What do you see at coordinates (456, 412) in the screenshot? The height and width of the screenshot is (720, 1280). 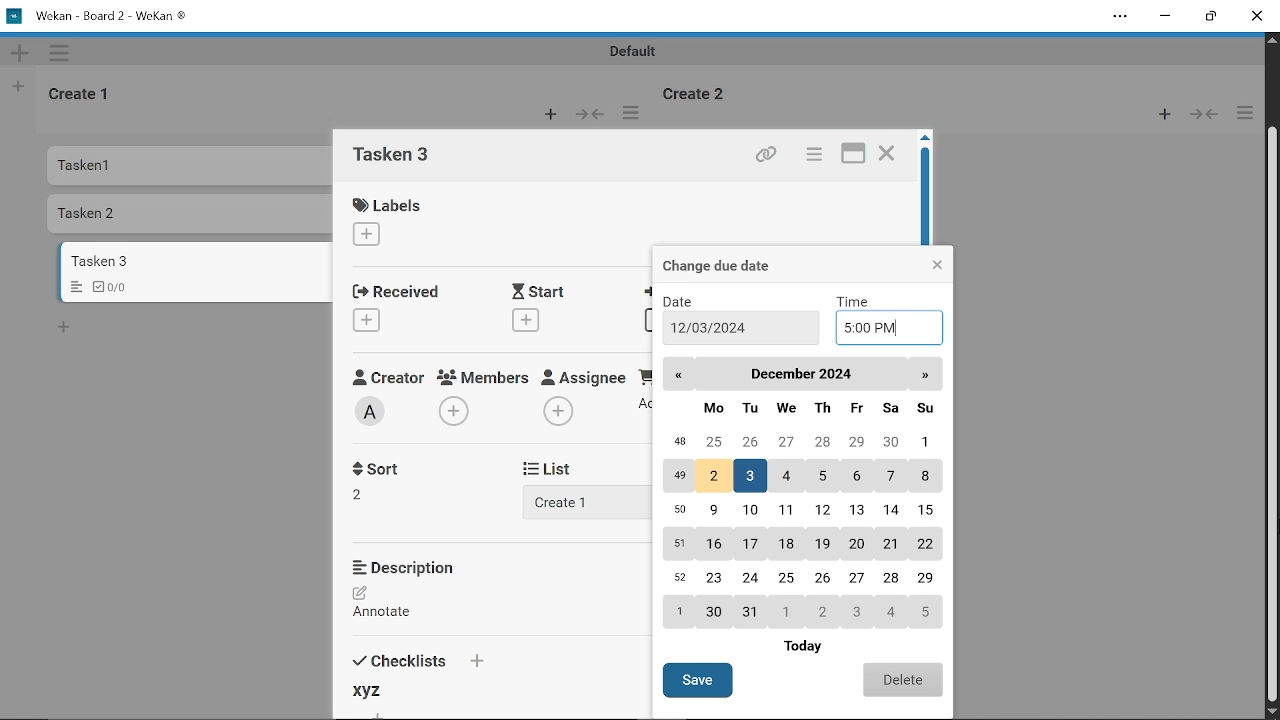 I see `Add members` at bounding box center [456, 412].